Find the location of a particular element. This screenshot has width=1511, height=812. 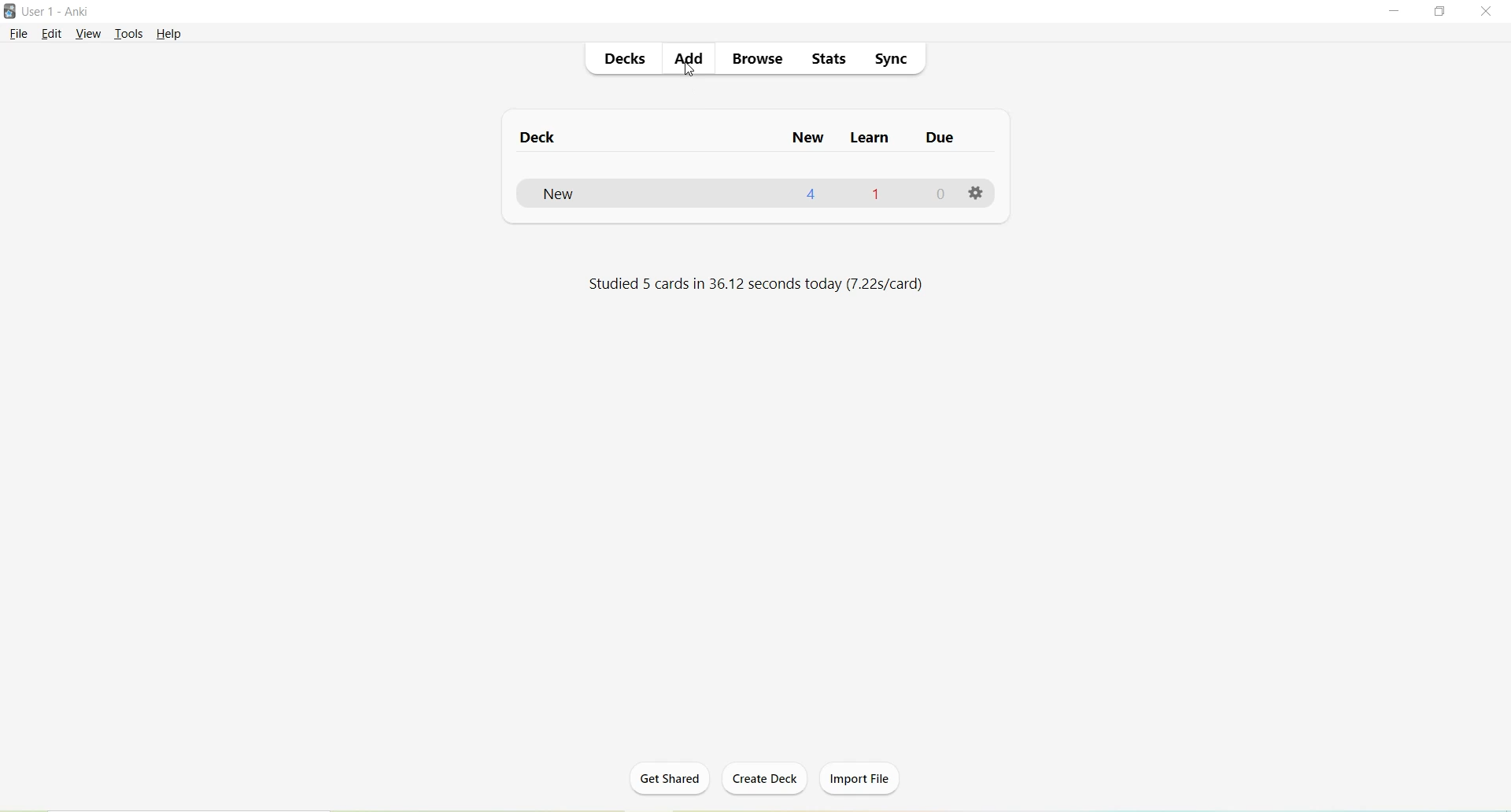

1 is located at coordinates (880, 195).